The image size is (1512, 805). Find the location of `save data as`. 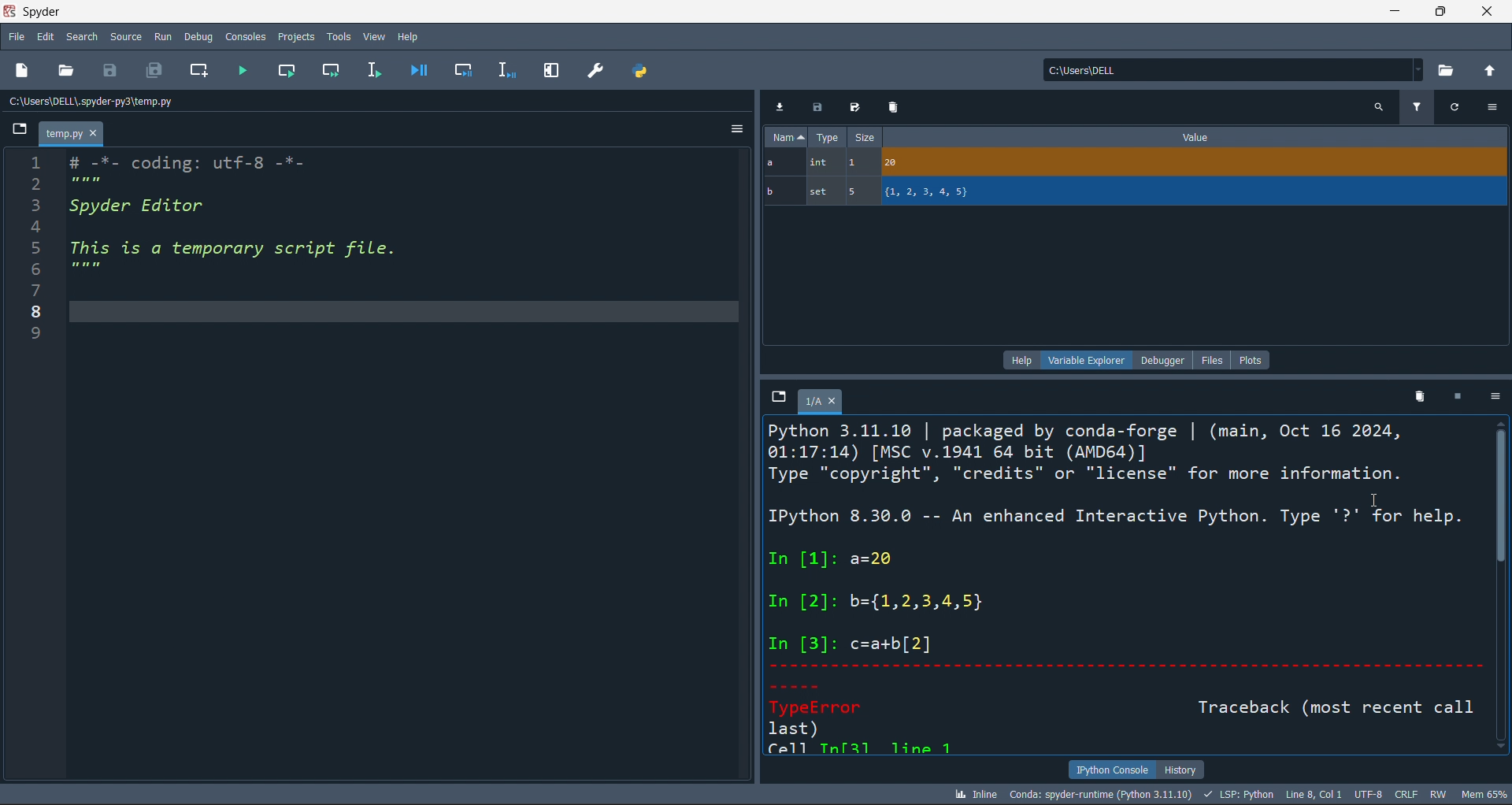

save data as is located at coordinates (852, 108).